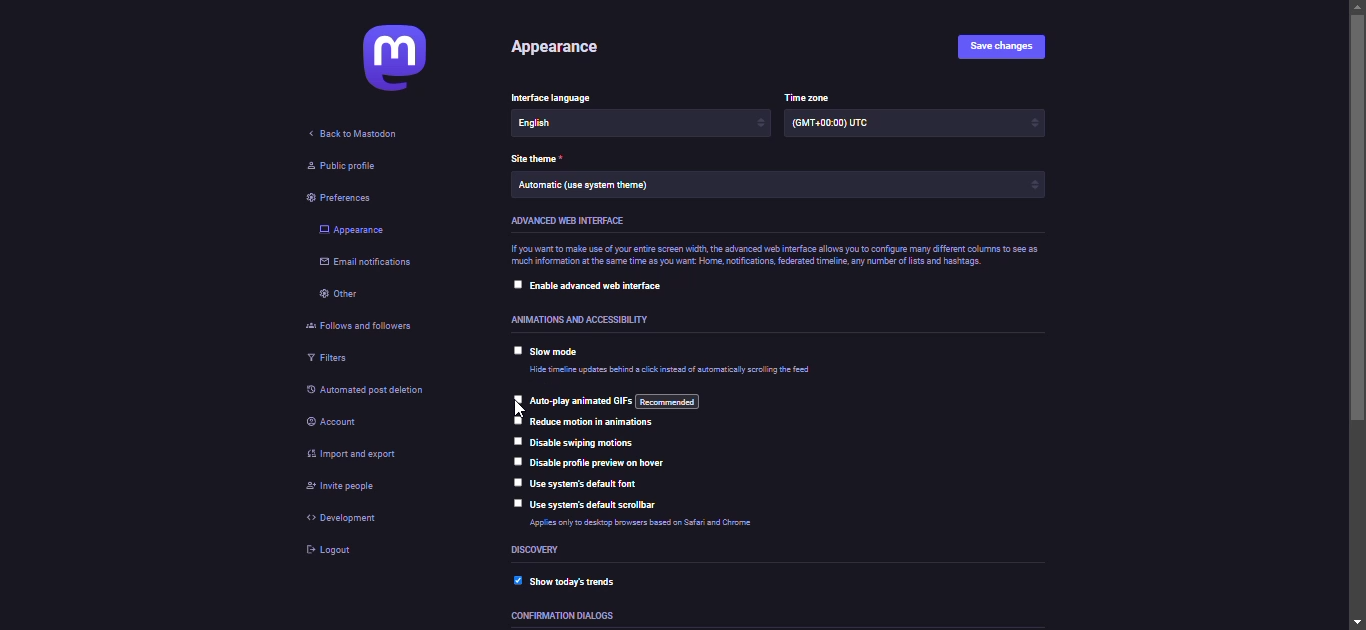 This screenshot has width=1366, height=630. Describe the element at coordinates (599, 424) in the screenshot. I see `reduce motion in animations` at that location.